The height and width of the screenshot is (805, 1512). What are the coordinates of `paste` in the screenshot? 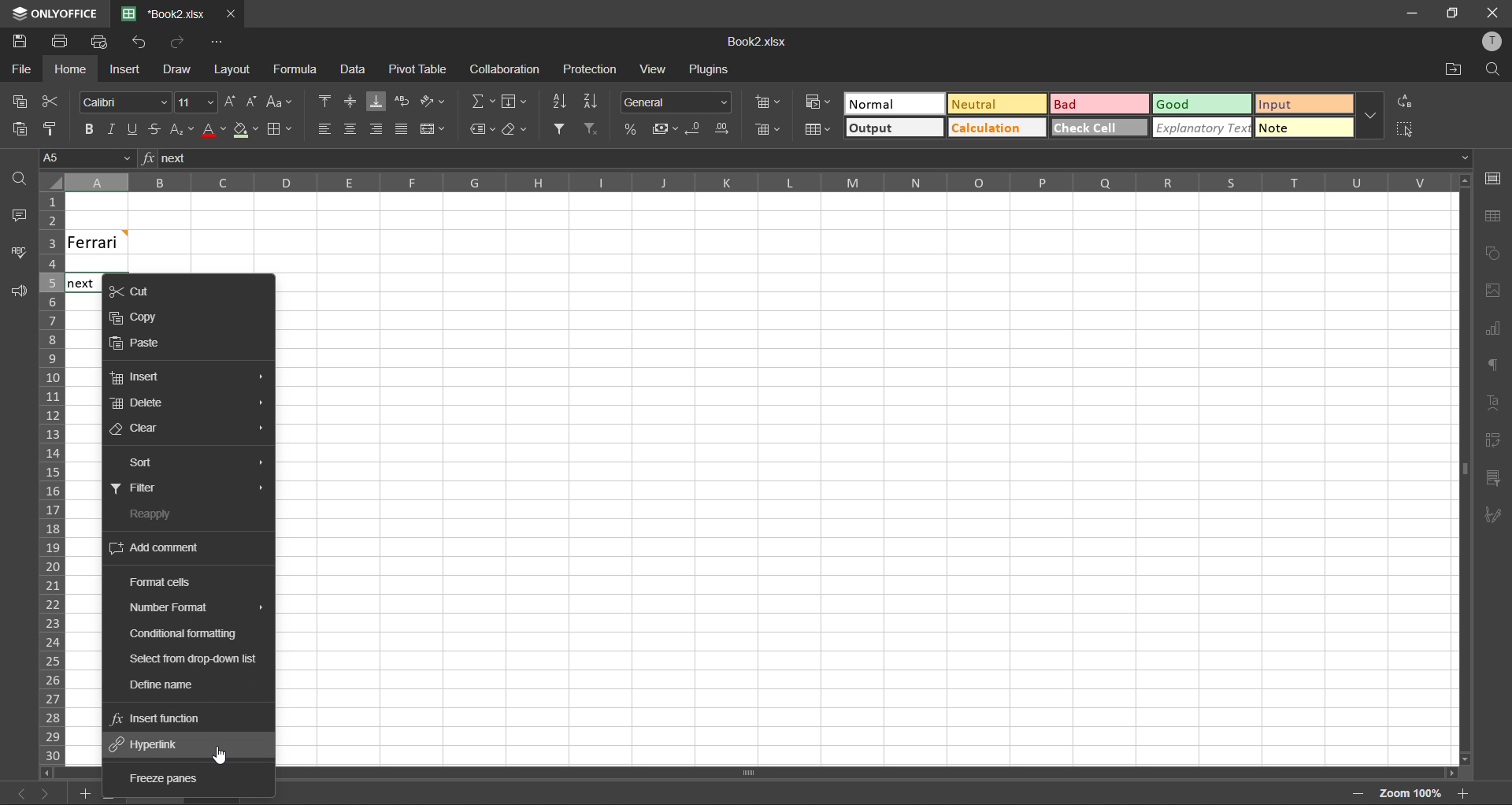 It's located at (15, 128).